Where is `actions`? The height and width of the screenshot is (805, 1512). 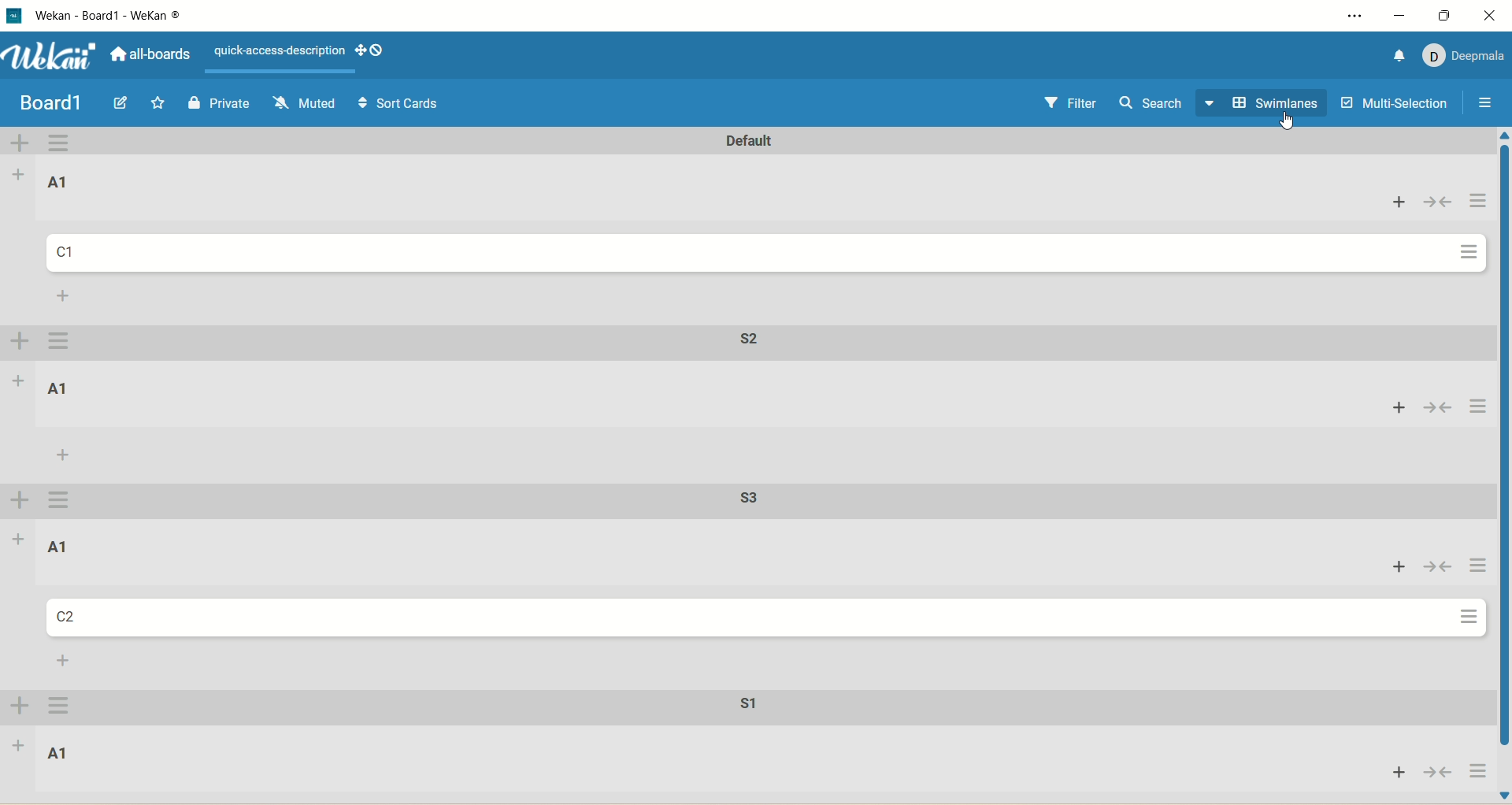 actions is located at coordinates (1468, 620).